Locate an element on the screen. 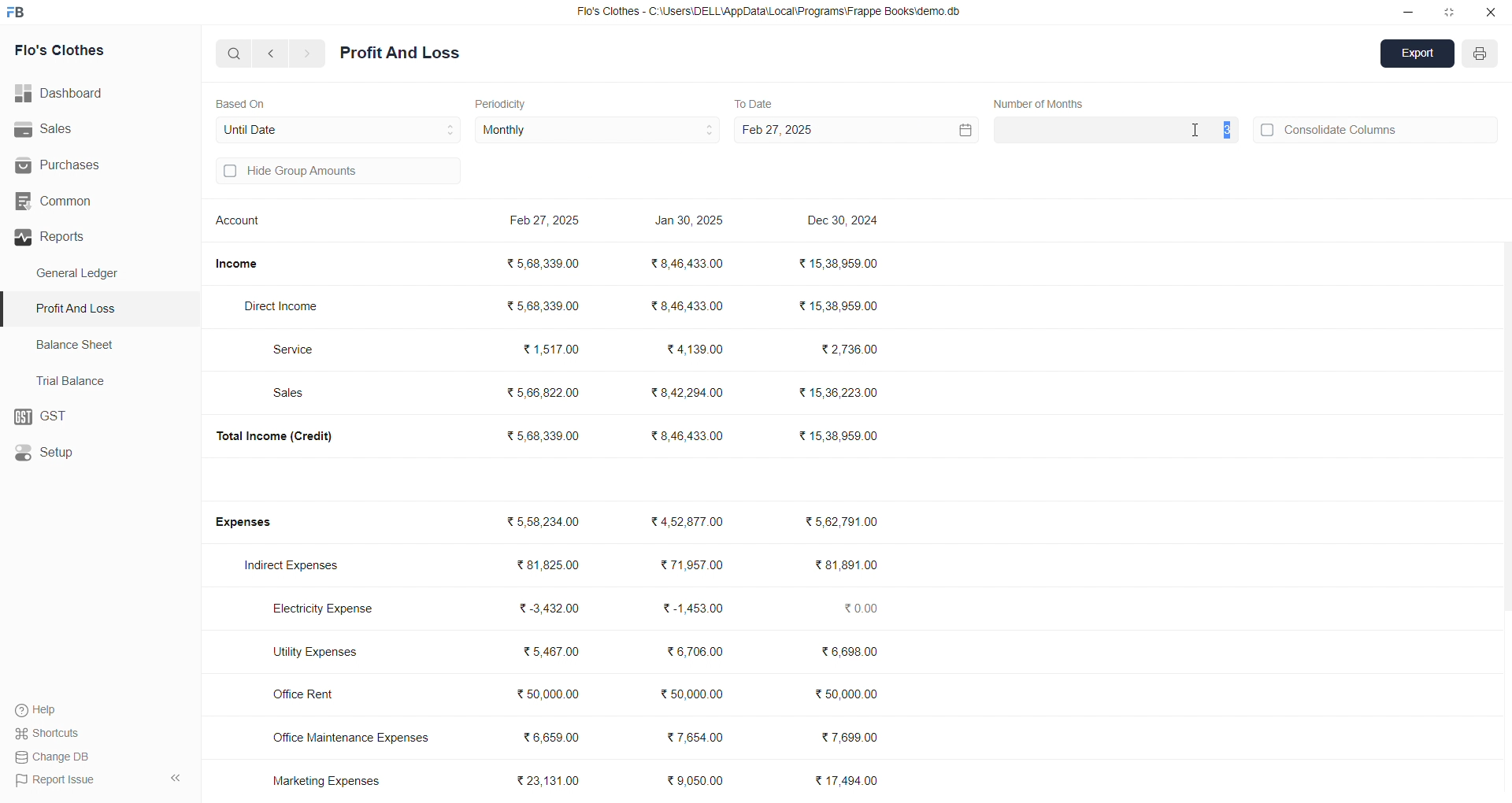  ₹23,131.00 is located at coordinates (552, 779).